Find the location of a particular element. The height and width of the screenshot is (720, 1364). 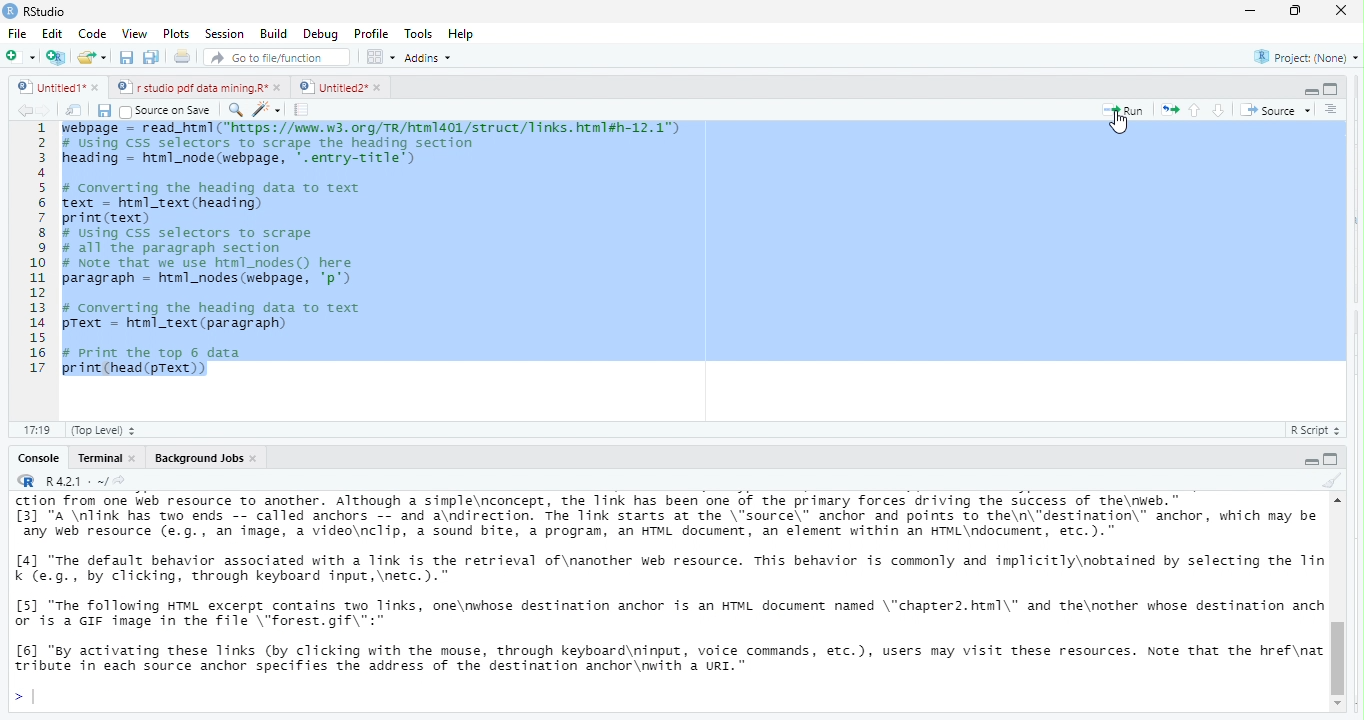

go to previous section/chunk is located at coordinates (1196, 111).